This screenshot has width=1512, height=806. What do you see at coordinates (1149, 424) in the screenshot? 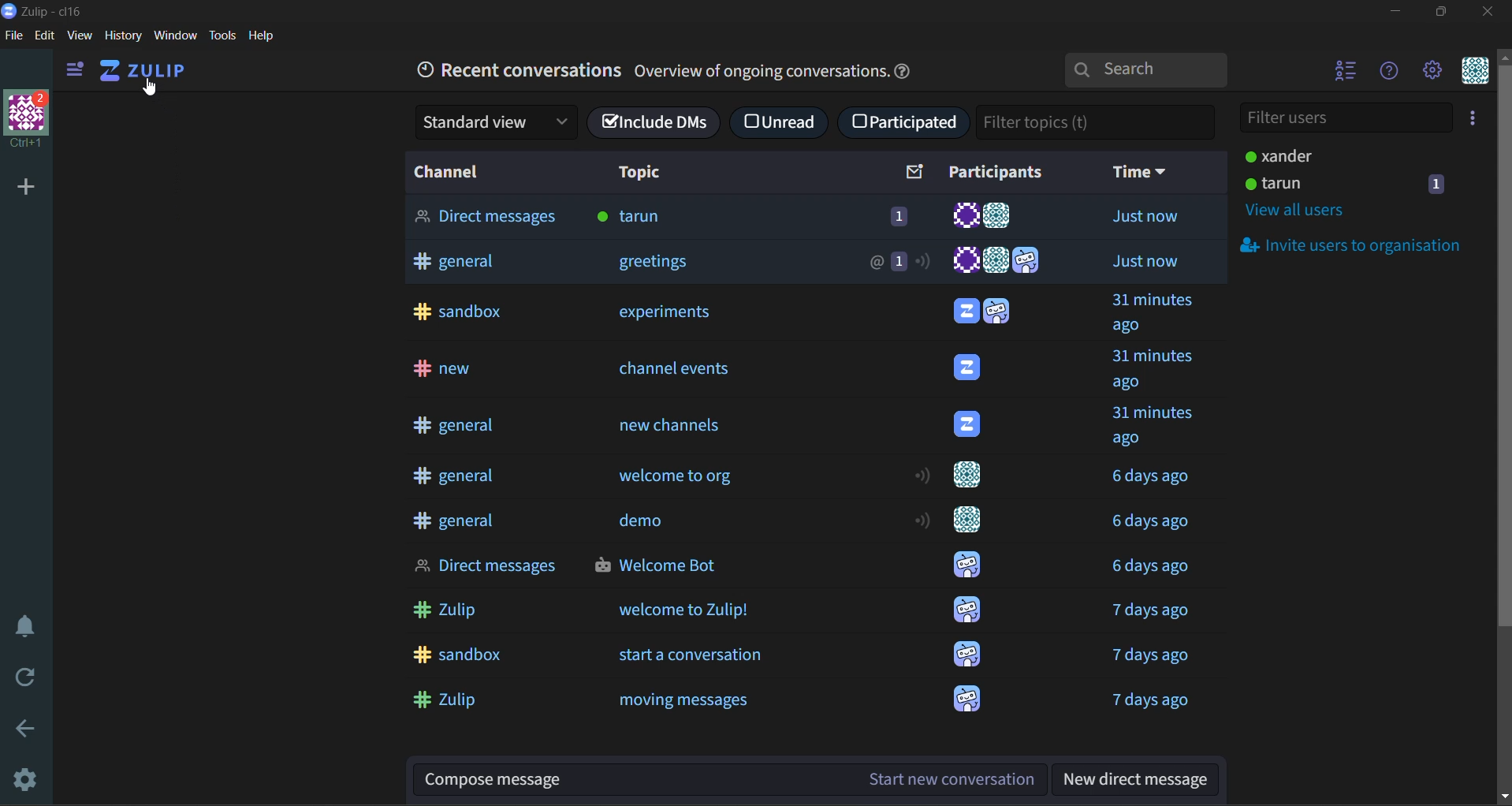
I see `Time` at bounding box center [1149, 424].